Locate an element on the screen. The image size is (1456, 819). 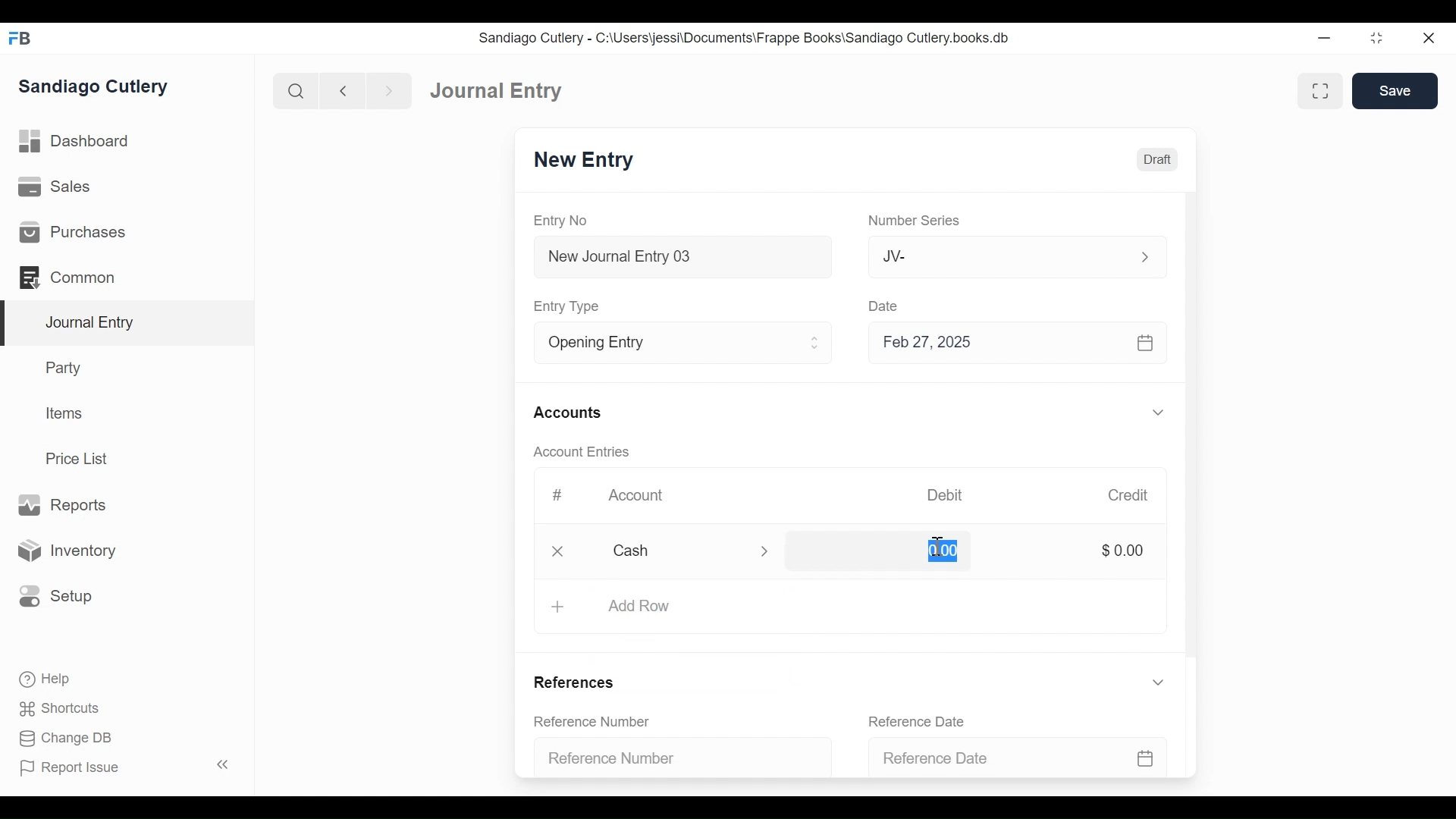
0.00 is located at coordinates (944, 551).